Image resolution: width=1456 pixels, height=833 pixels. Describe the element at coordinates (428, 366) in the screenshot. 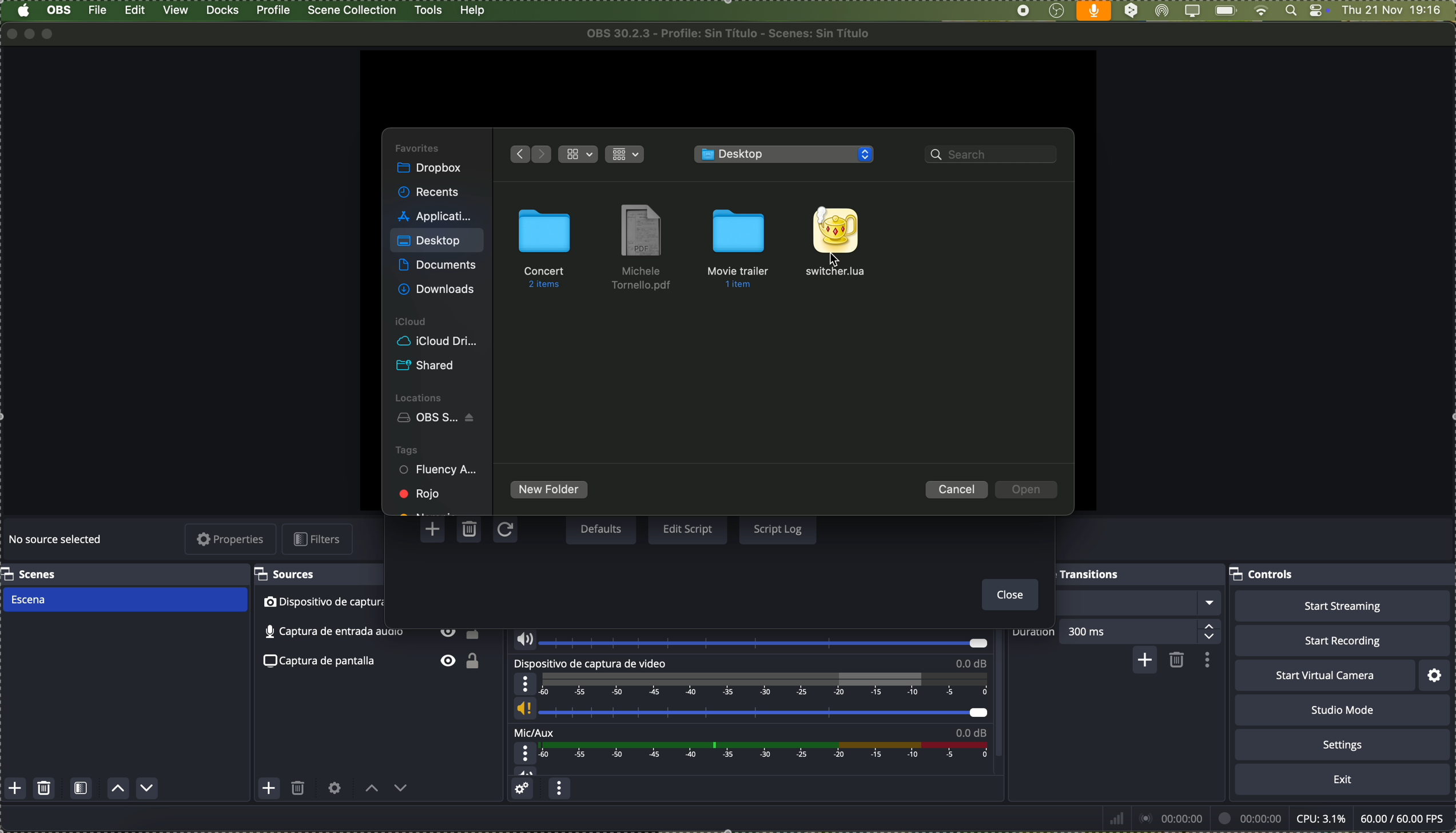

I see `shared` at that location.